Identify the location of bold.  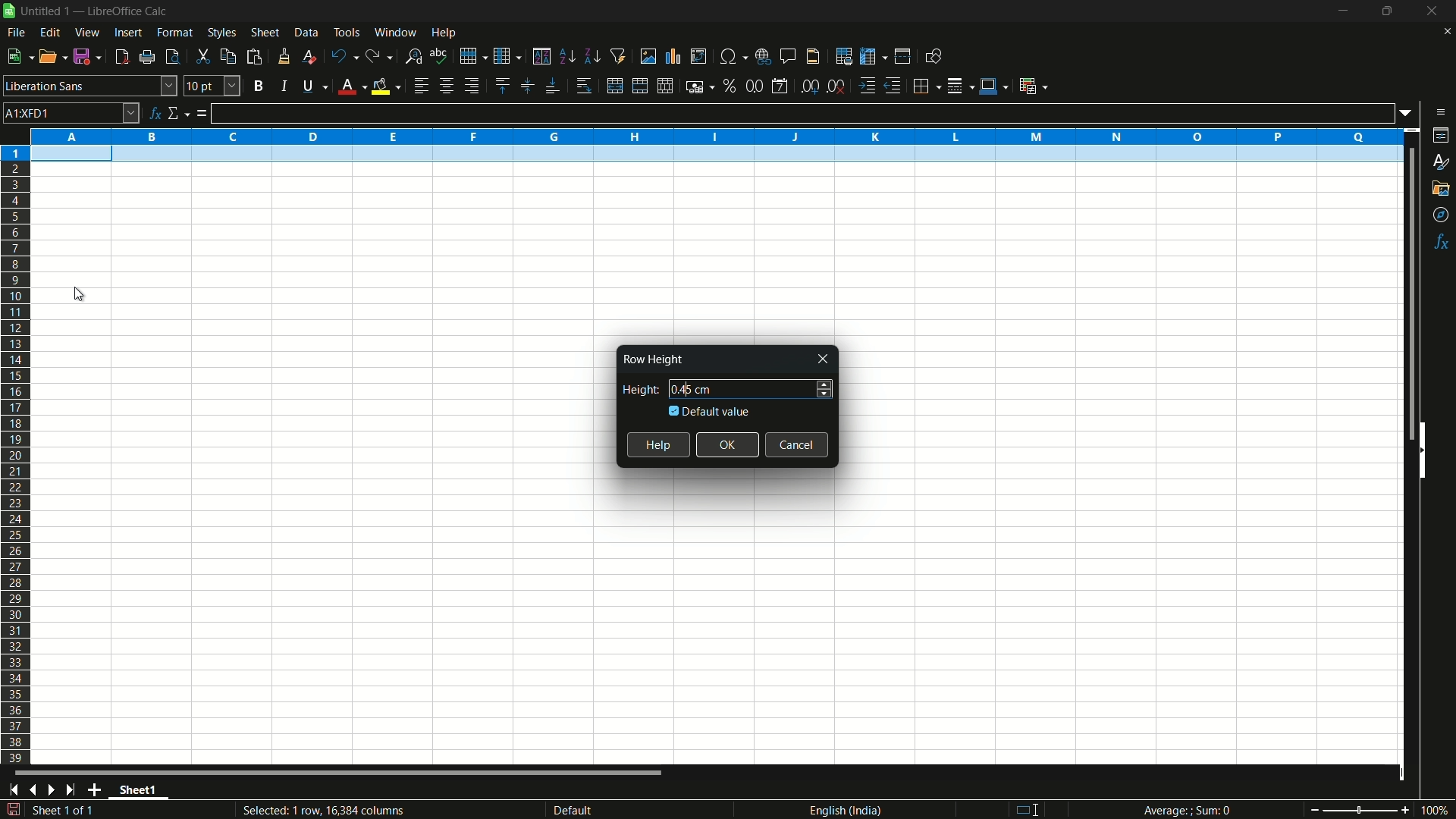
(258, 85).